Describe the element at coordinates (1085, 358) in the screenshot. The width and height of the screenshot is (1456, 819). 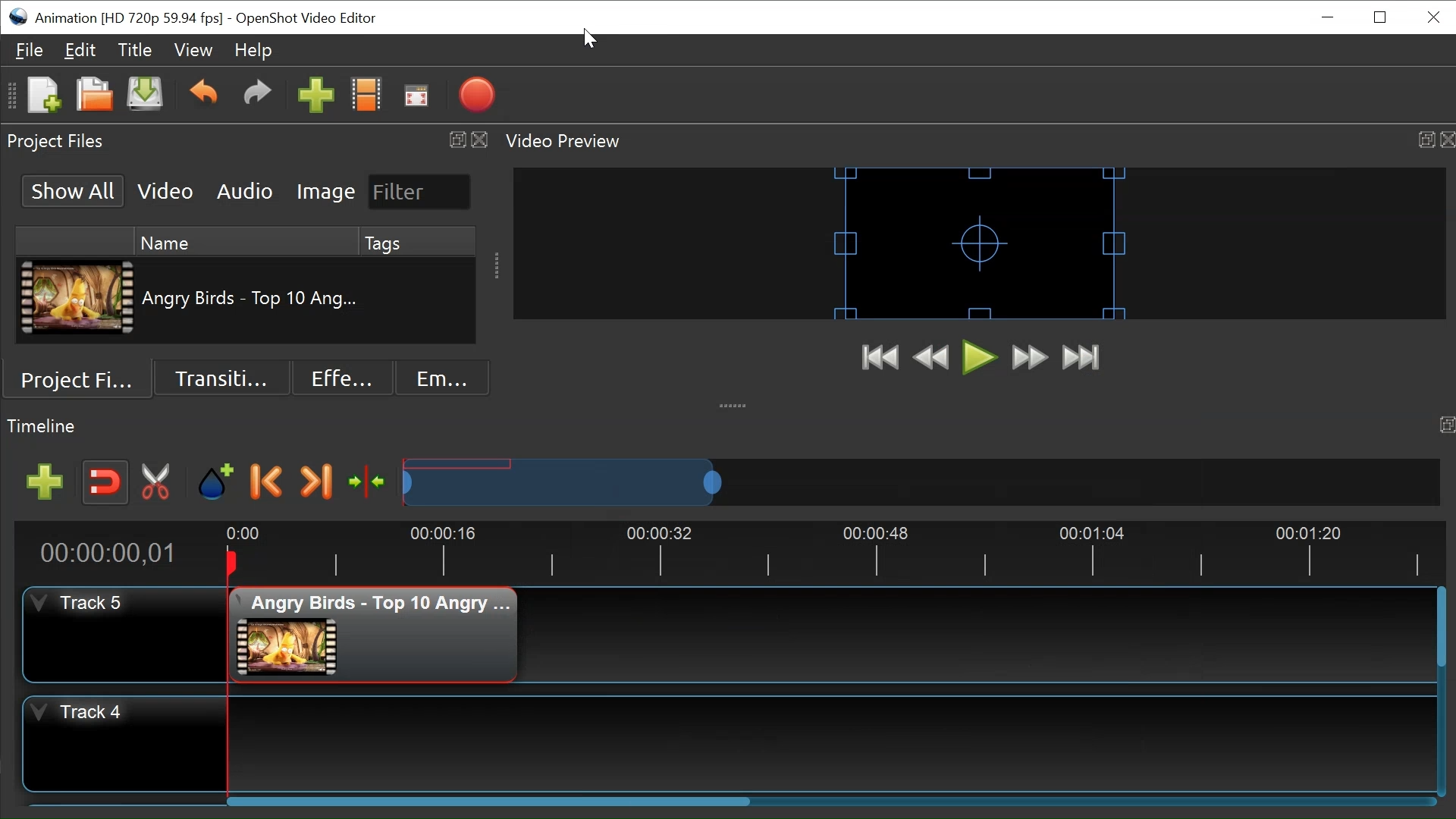
I see `Jump to End` at that location.